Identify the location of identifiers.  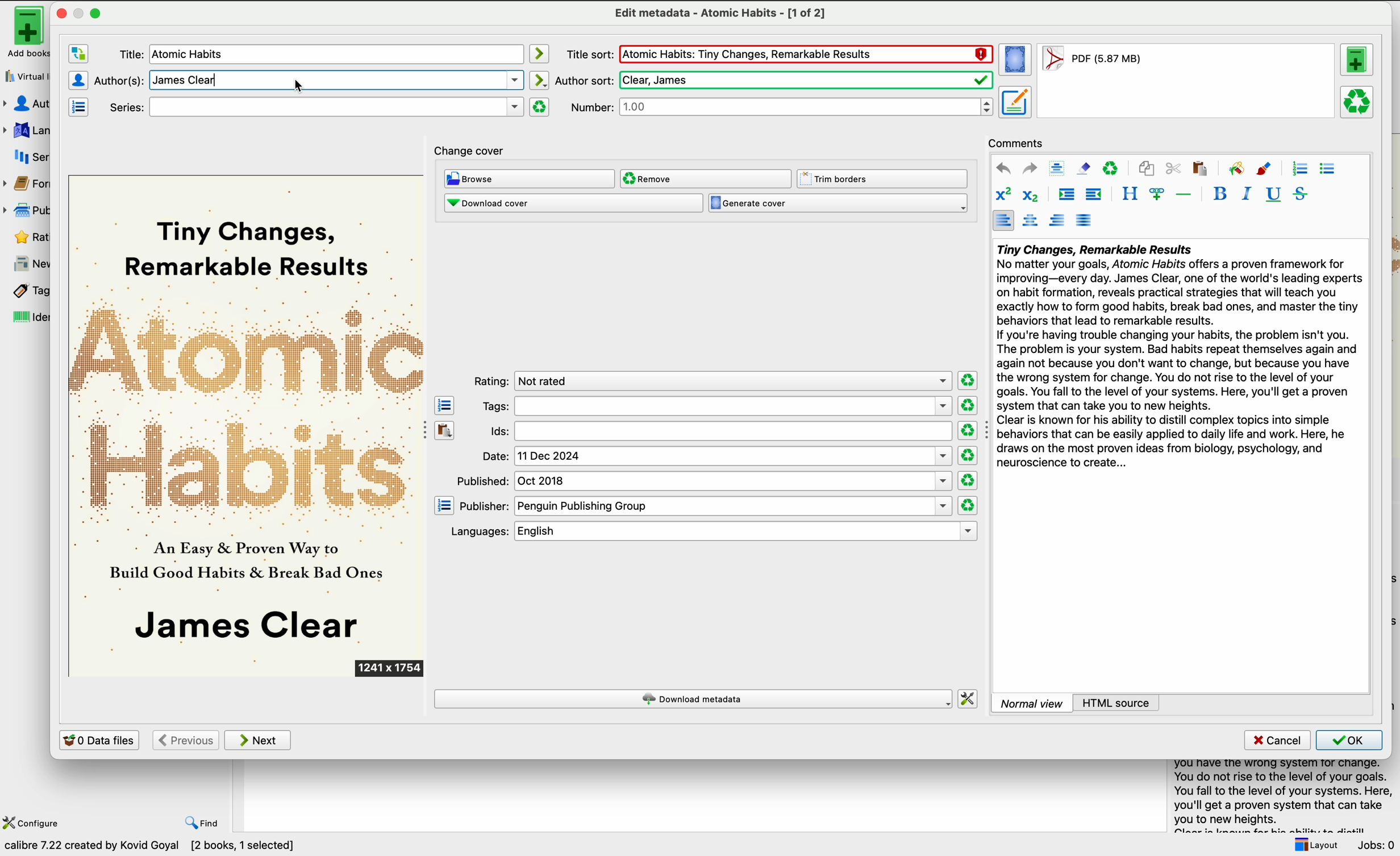
(24, 318).